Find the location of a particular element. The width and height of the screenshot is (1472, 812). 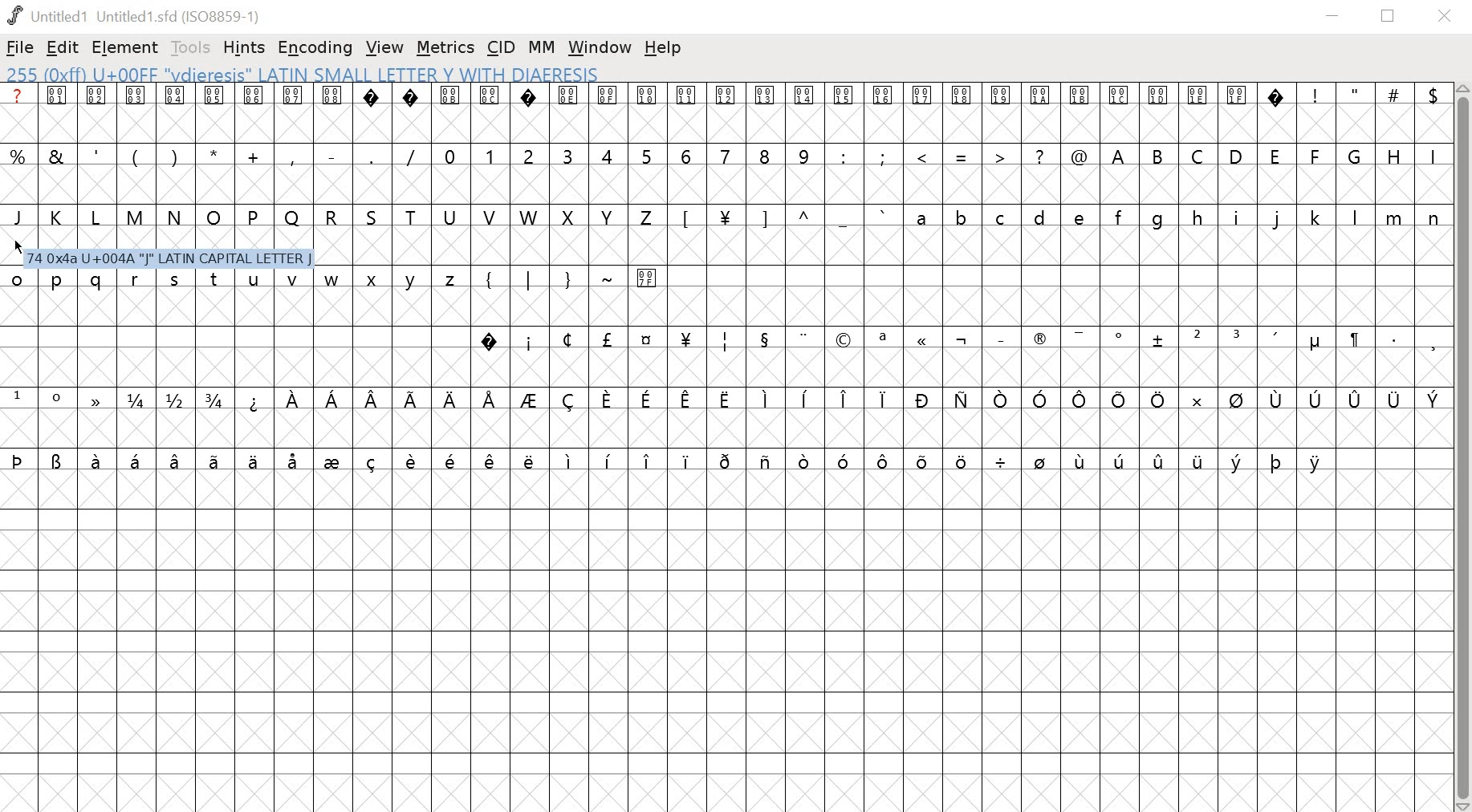

1 Ox4a U+004A "|" LATIN CAPITAL LETTER J is located at coordinates (169, 260).